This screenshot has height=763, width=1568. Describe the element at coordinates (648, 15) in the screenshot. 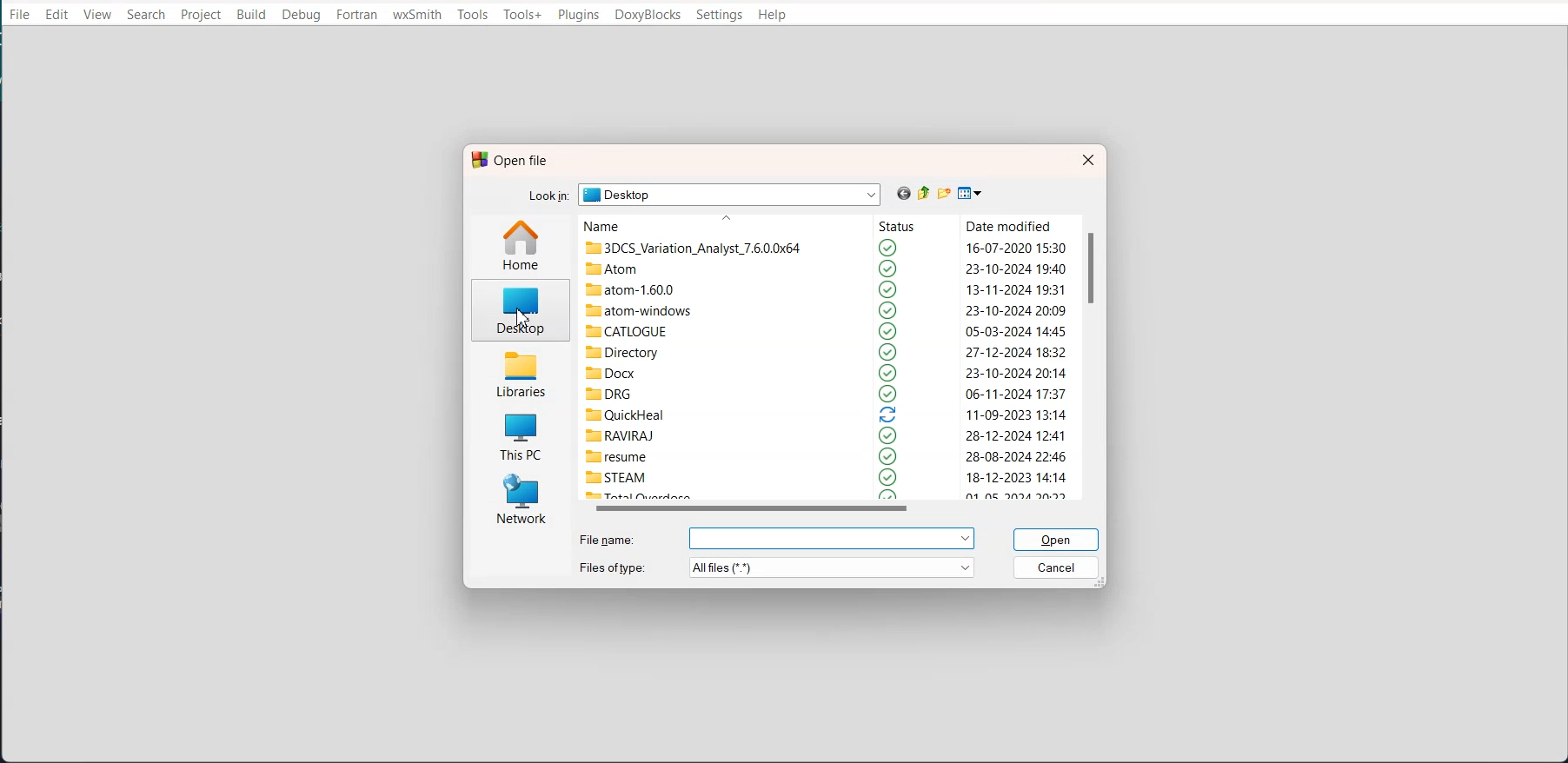

I see `DoxyBlocks` at that location.